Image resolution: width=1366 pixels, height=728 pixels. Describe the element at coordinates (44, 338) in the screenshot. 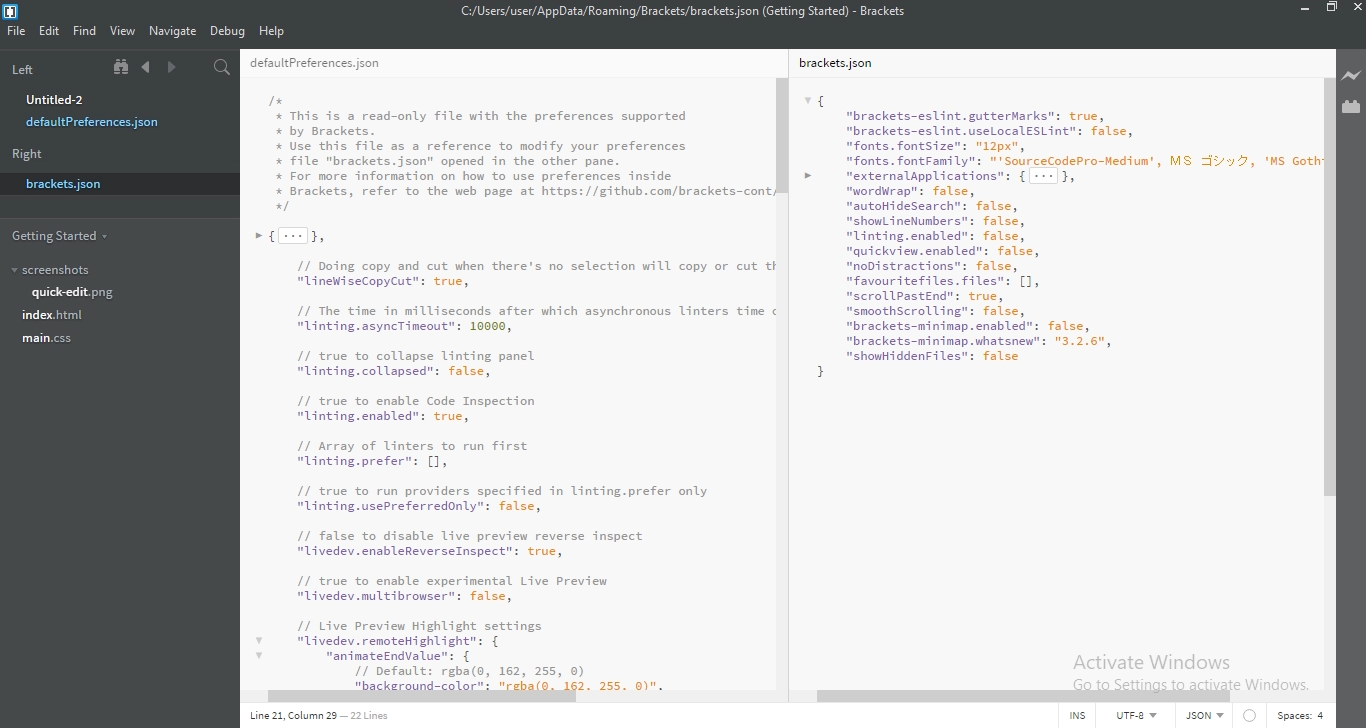

I see `main.css` at that location.